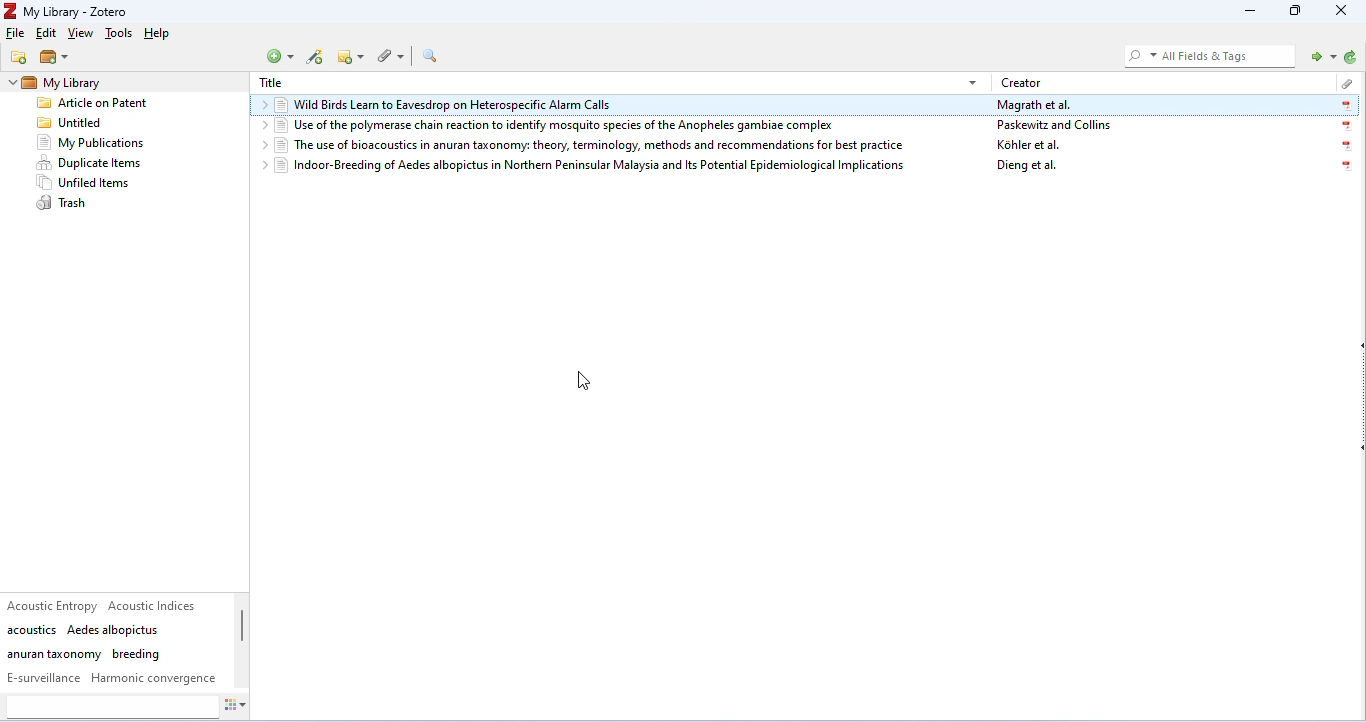  What do you see at coordinates (1348, 147) in the screenshot?
I see `pdf` at bounding box center [1348, 147].